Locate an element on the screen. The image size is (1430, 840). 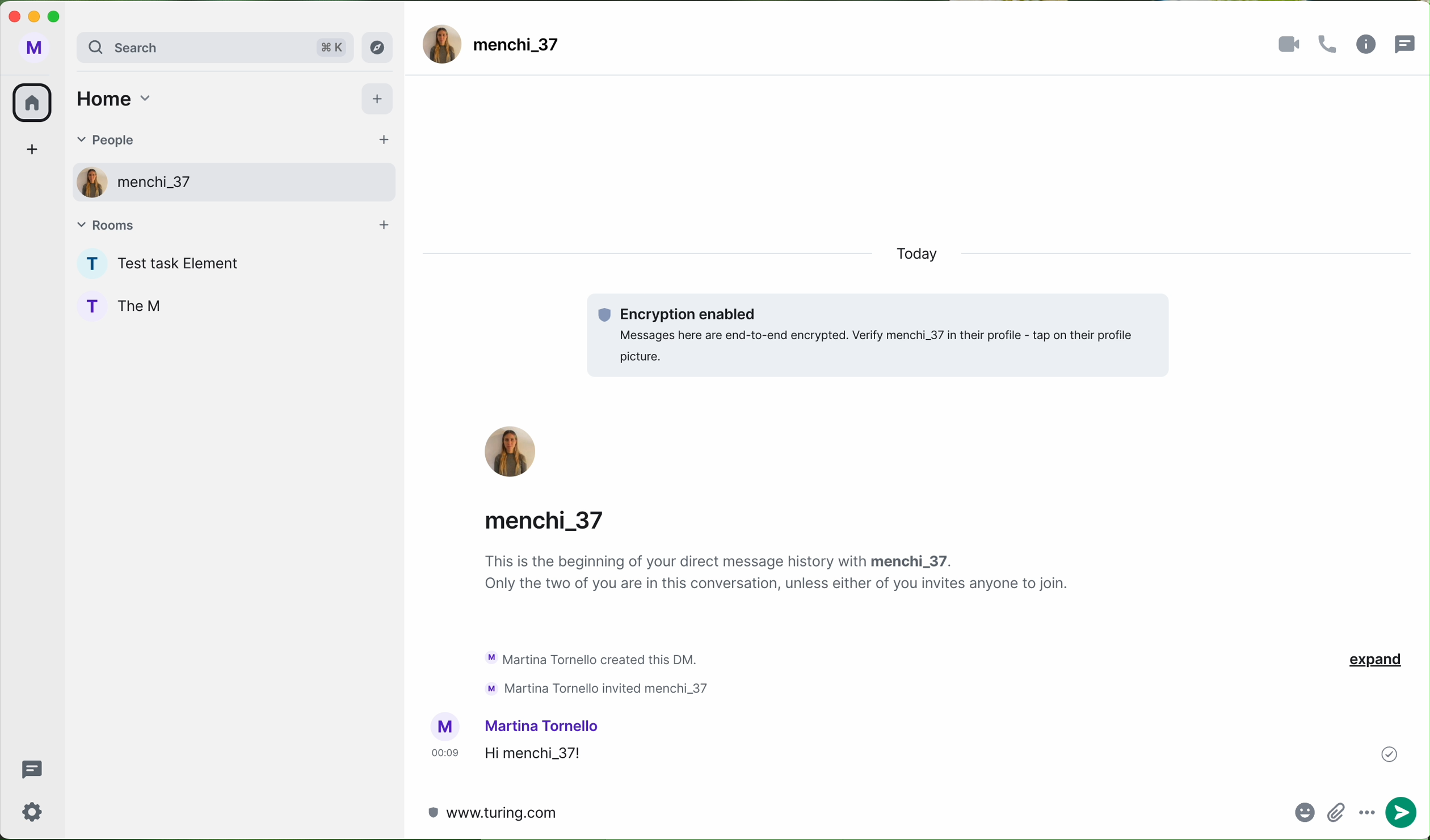
expand is located at coordinates (1374, 661).